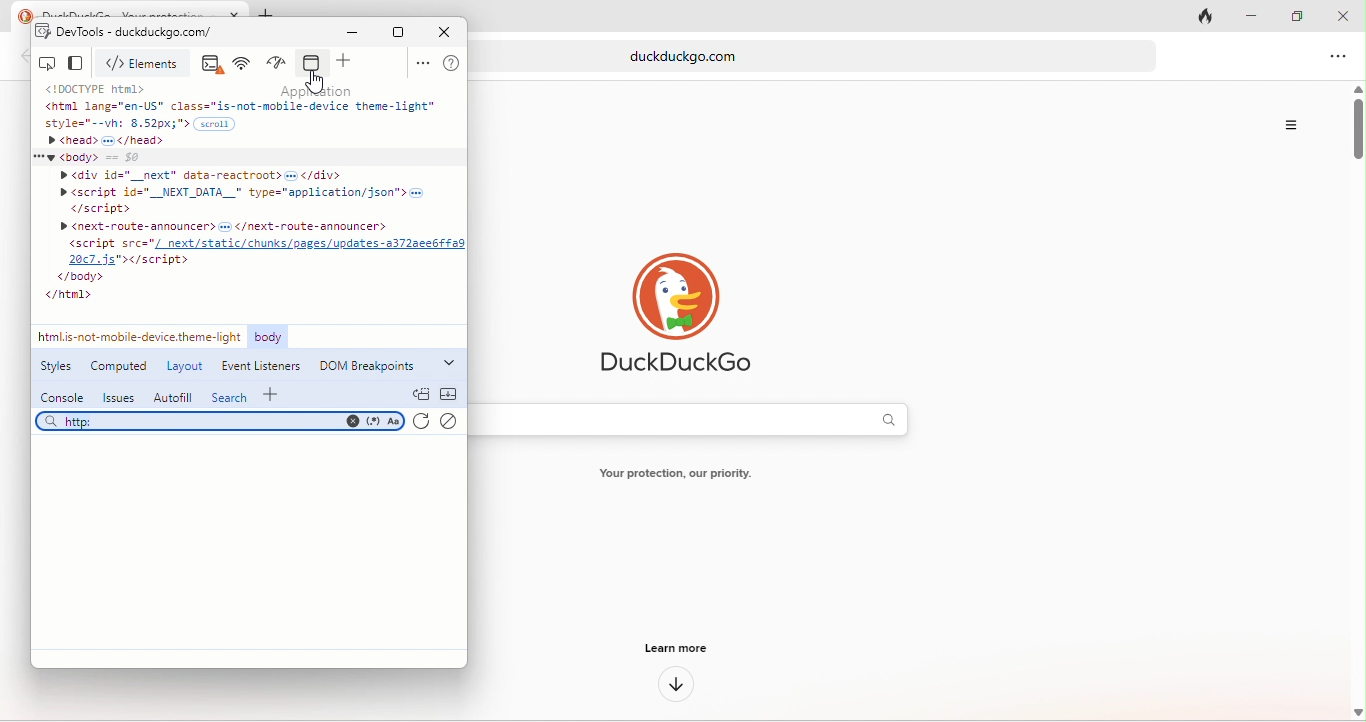 The image size is (1366, 722). What do you see at coordinates (241, 65) in the screenshot?
I see `network` at bounding box center [241, 65].